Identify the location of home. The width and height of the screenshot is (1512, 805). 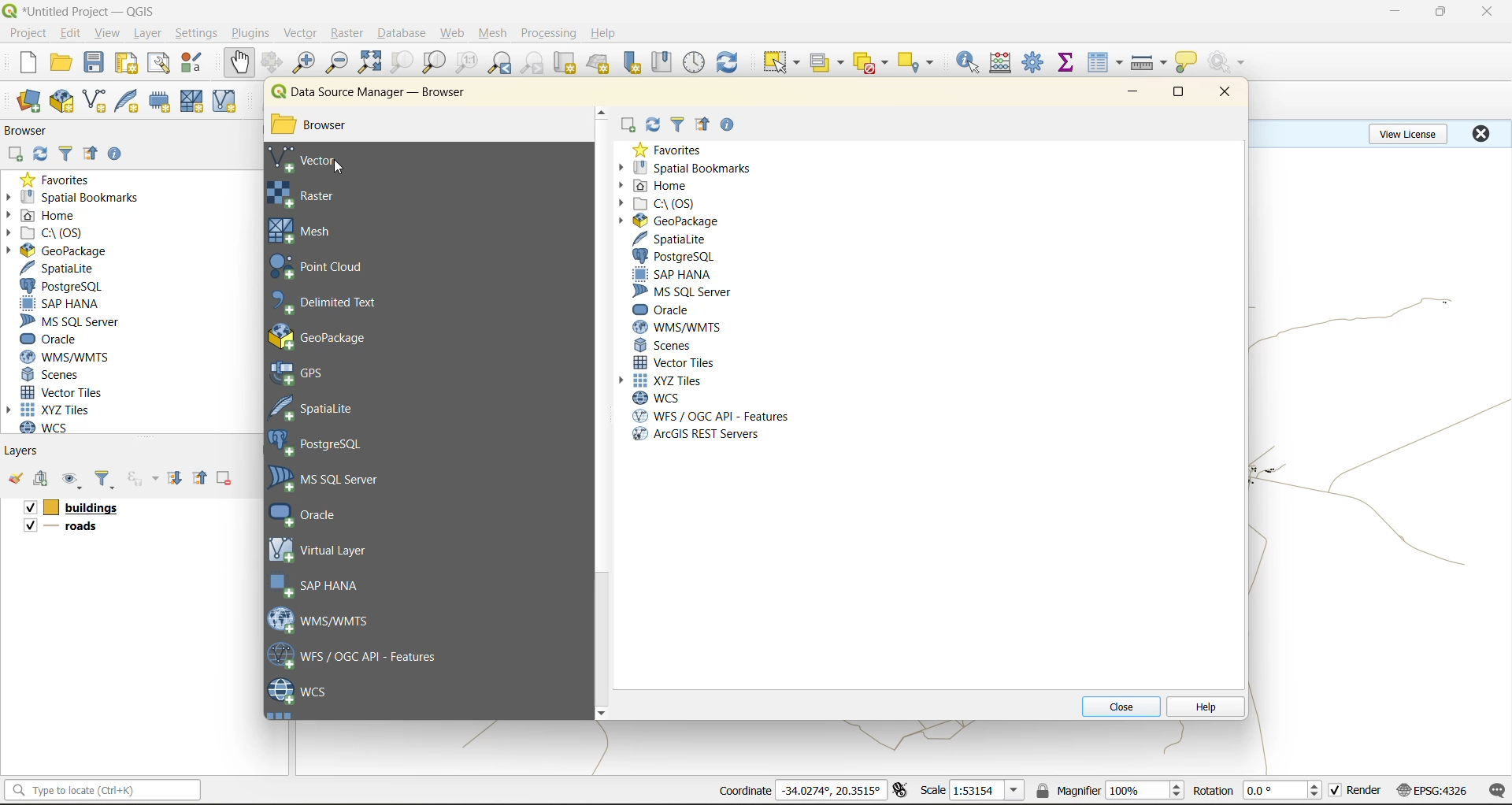
(47, 217).